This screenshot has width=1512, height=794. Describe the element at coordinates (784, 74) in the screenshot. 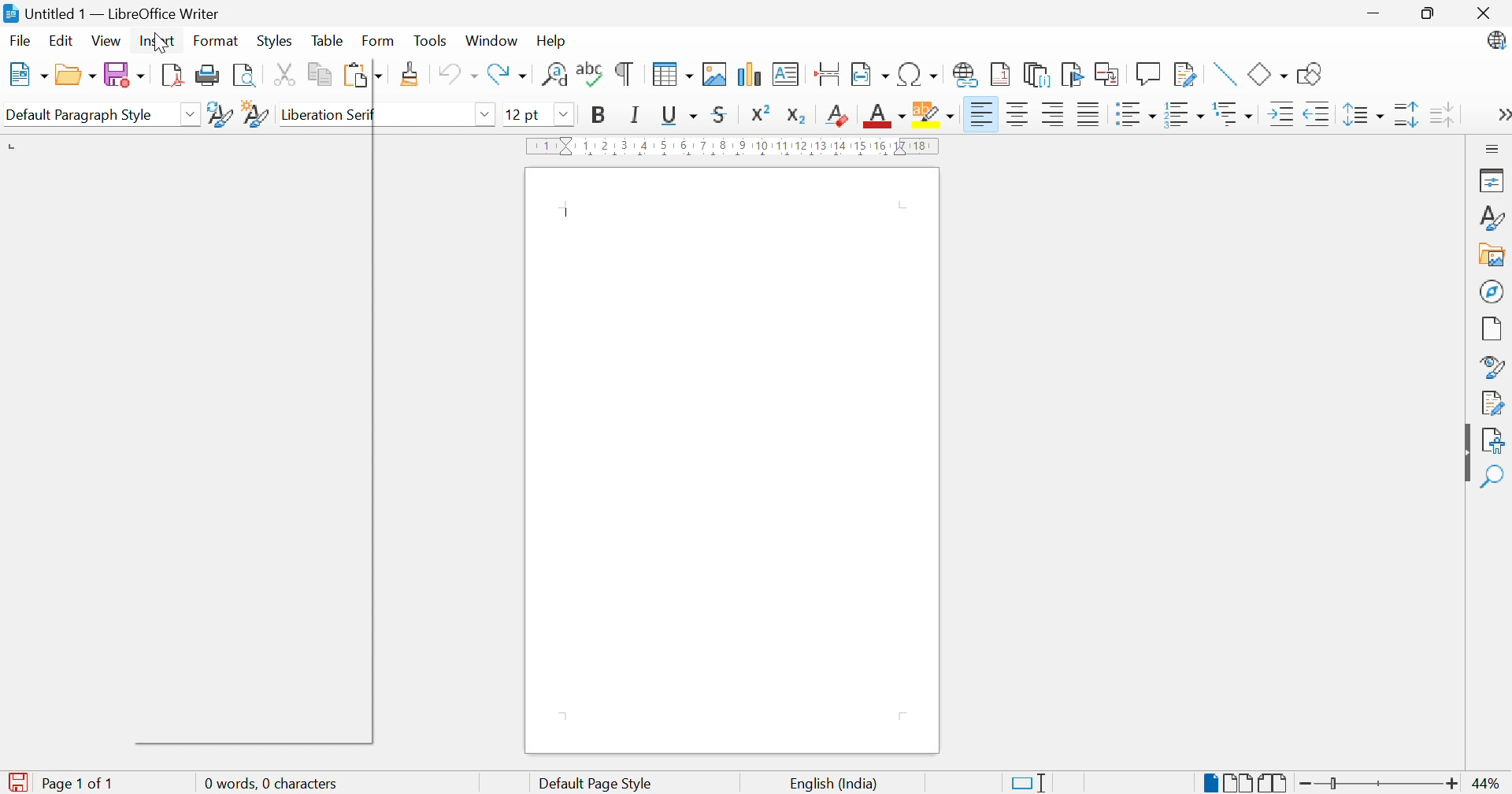

I see `Insert textbox` at that location.